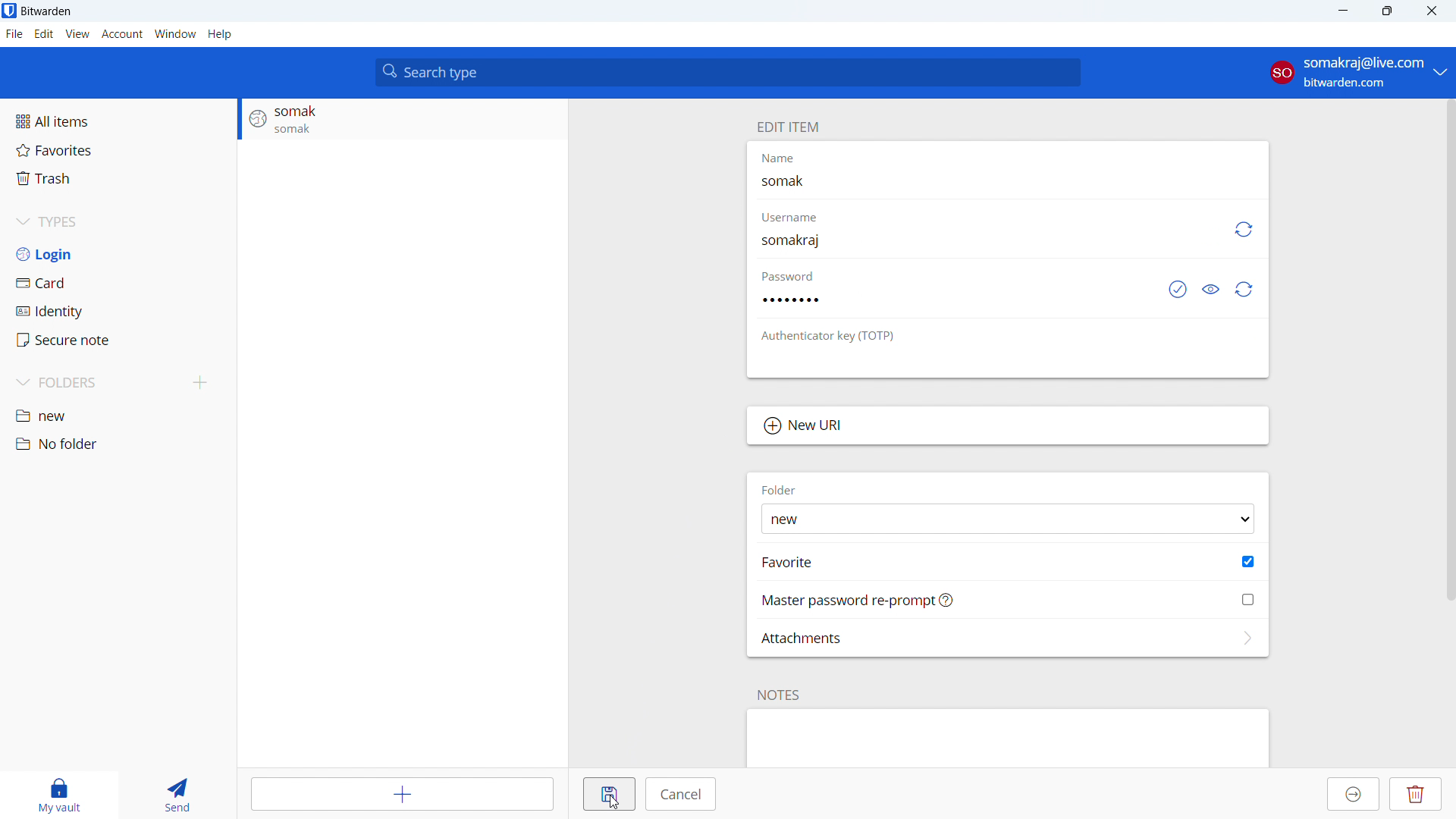 The width and height of the screenshot is (1456, 819). I want to click on card, so click(118, 282).